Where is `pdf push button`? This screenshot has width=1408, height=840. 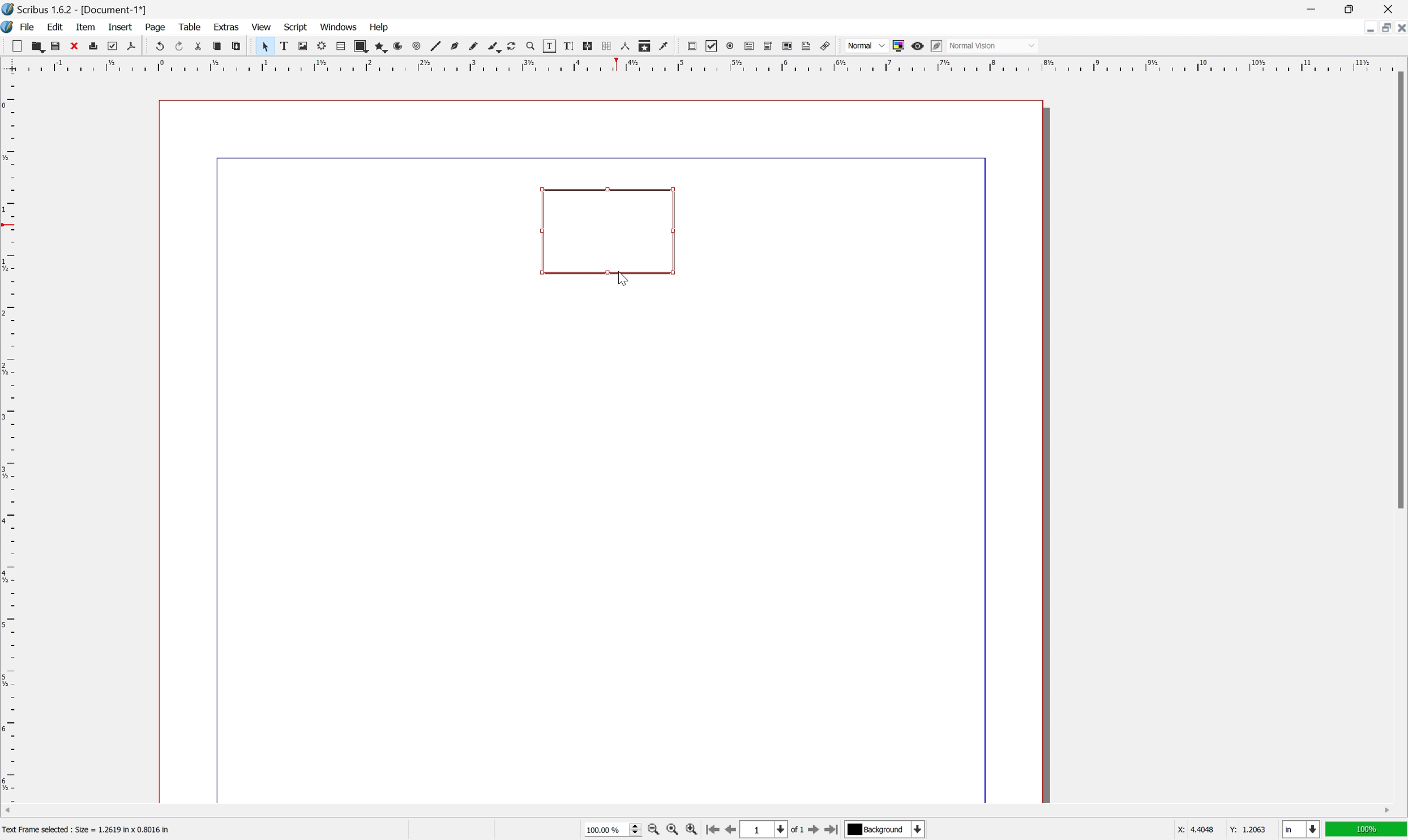
pdf push button is located at coordinates (692, 45).